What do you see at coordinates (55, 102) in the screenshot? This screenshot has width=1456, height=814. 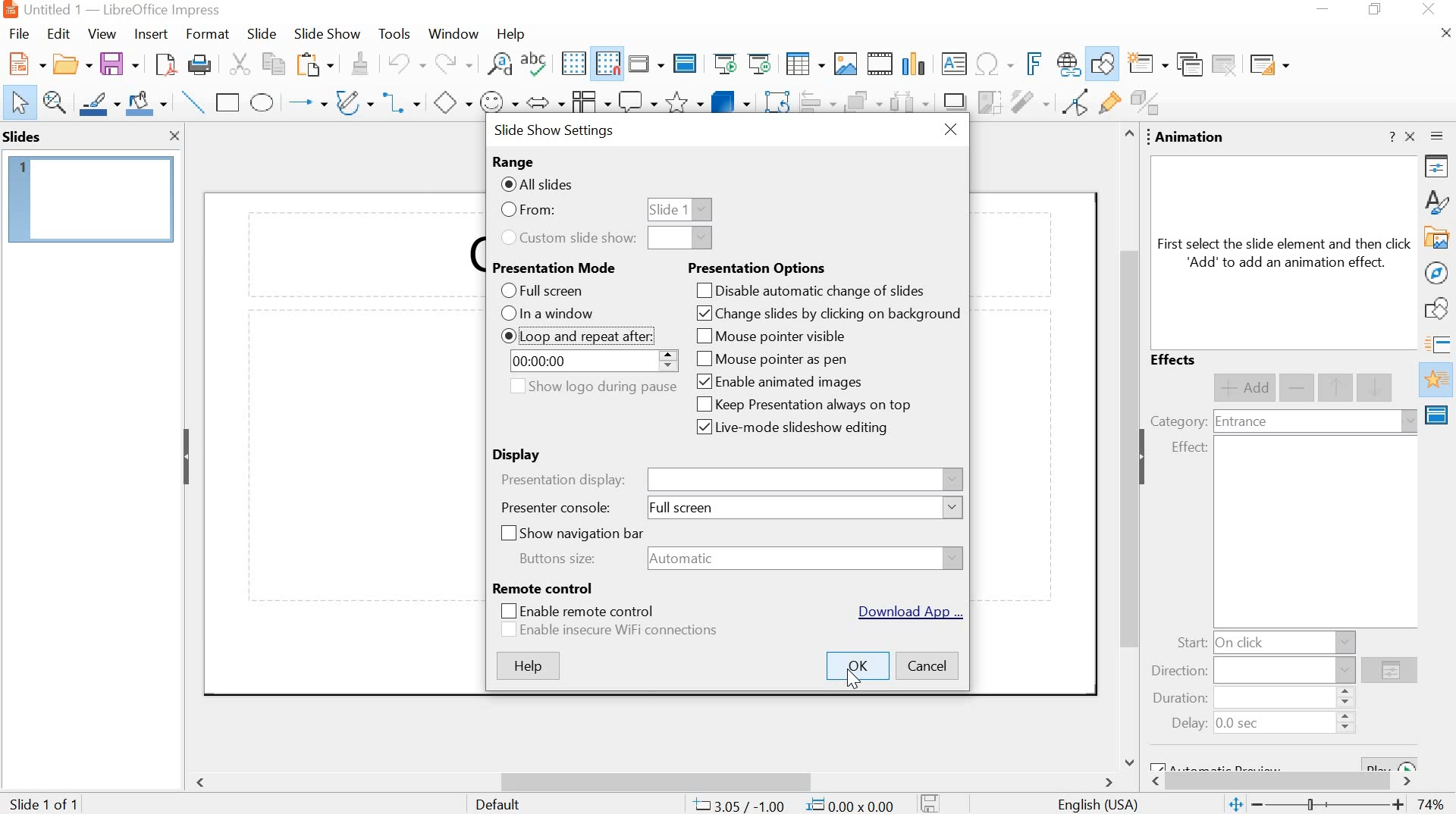 I see `zoom and pan` at bounding box center [55, 102].